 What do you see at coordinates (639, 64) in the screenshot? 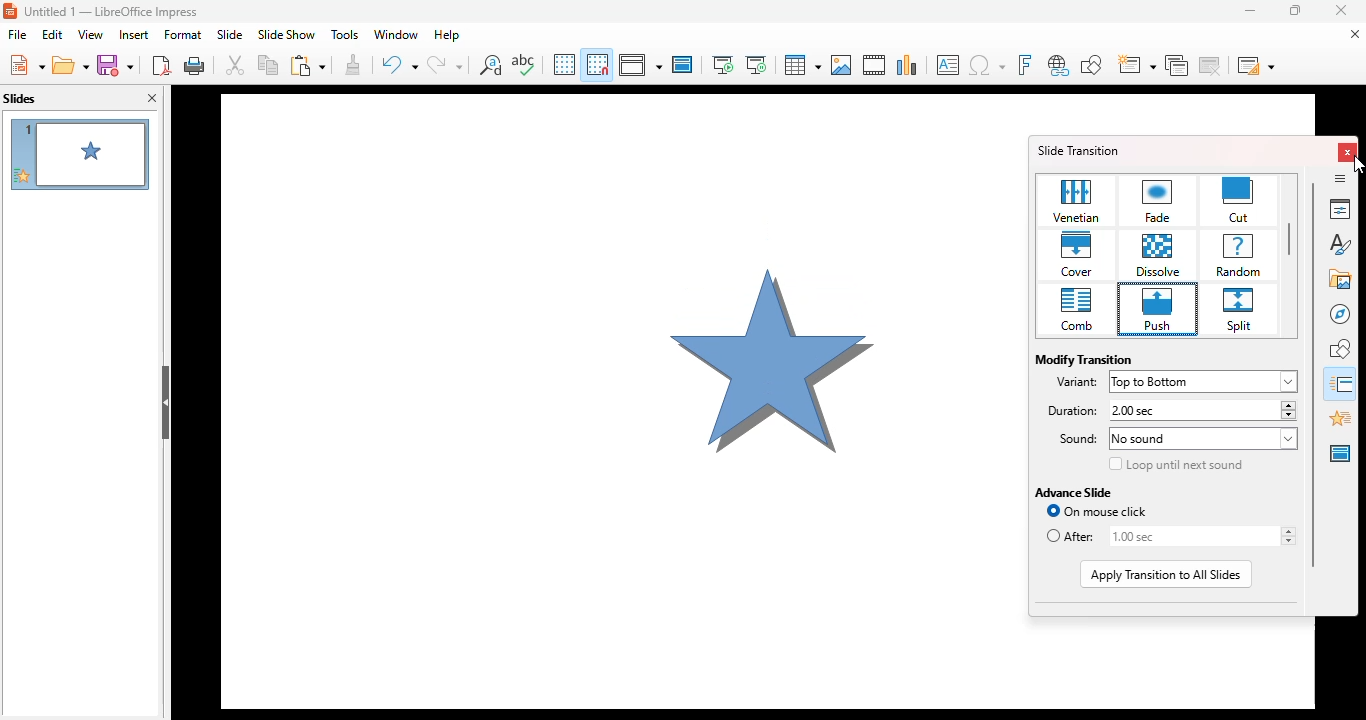
I see `display views` at bounding box center [639, 64].